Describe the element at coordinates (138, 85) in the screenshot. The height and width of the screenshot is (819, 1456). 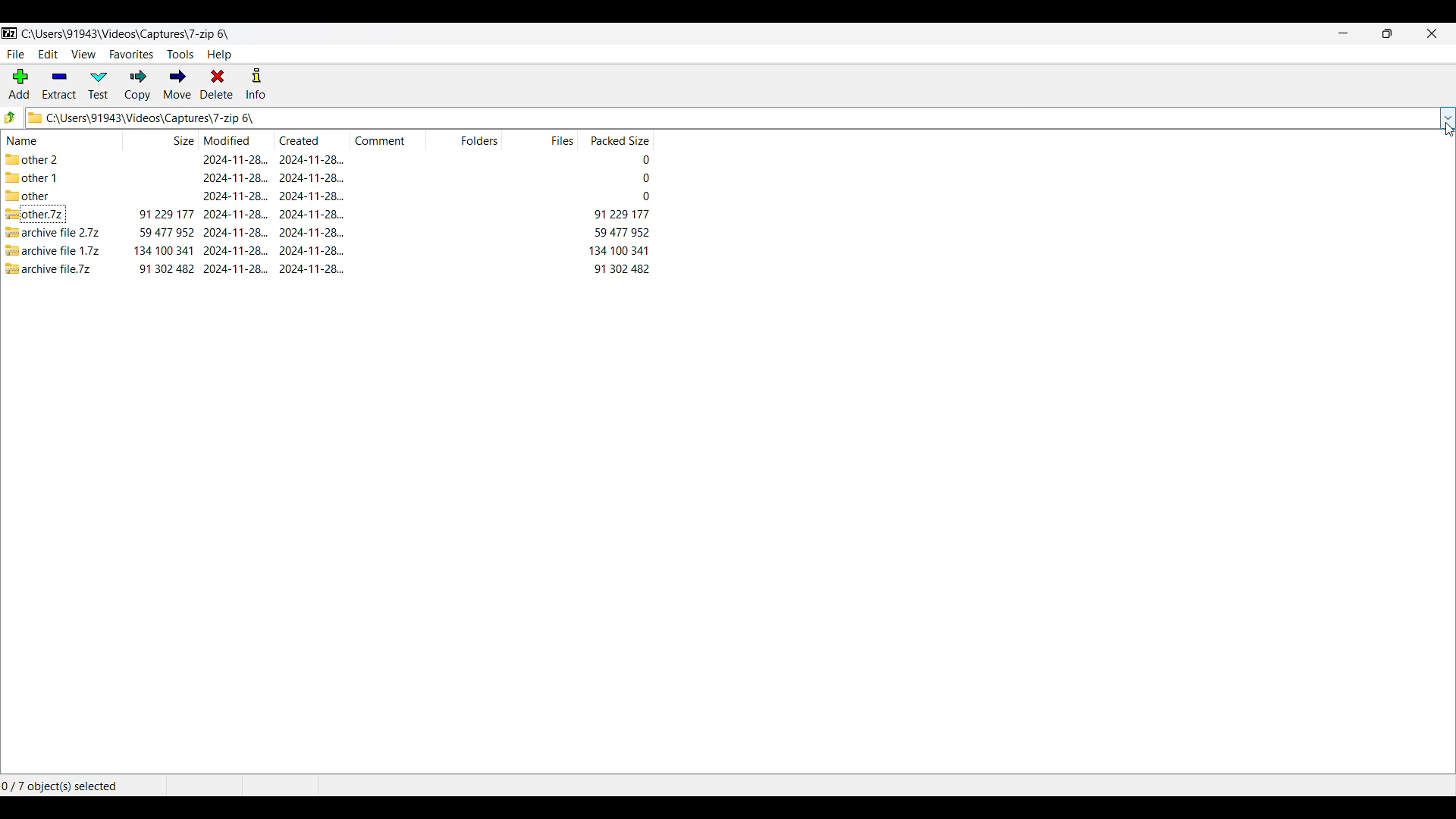
I see `Copy` at that location.